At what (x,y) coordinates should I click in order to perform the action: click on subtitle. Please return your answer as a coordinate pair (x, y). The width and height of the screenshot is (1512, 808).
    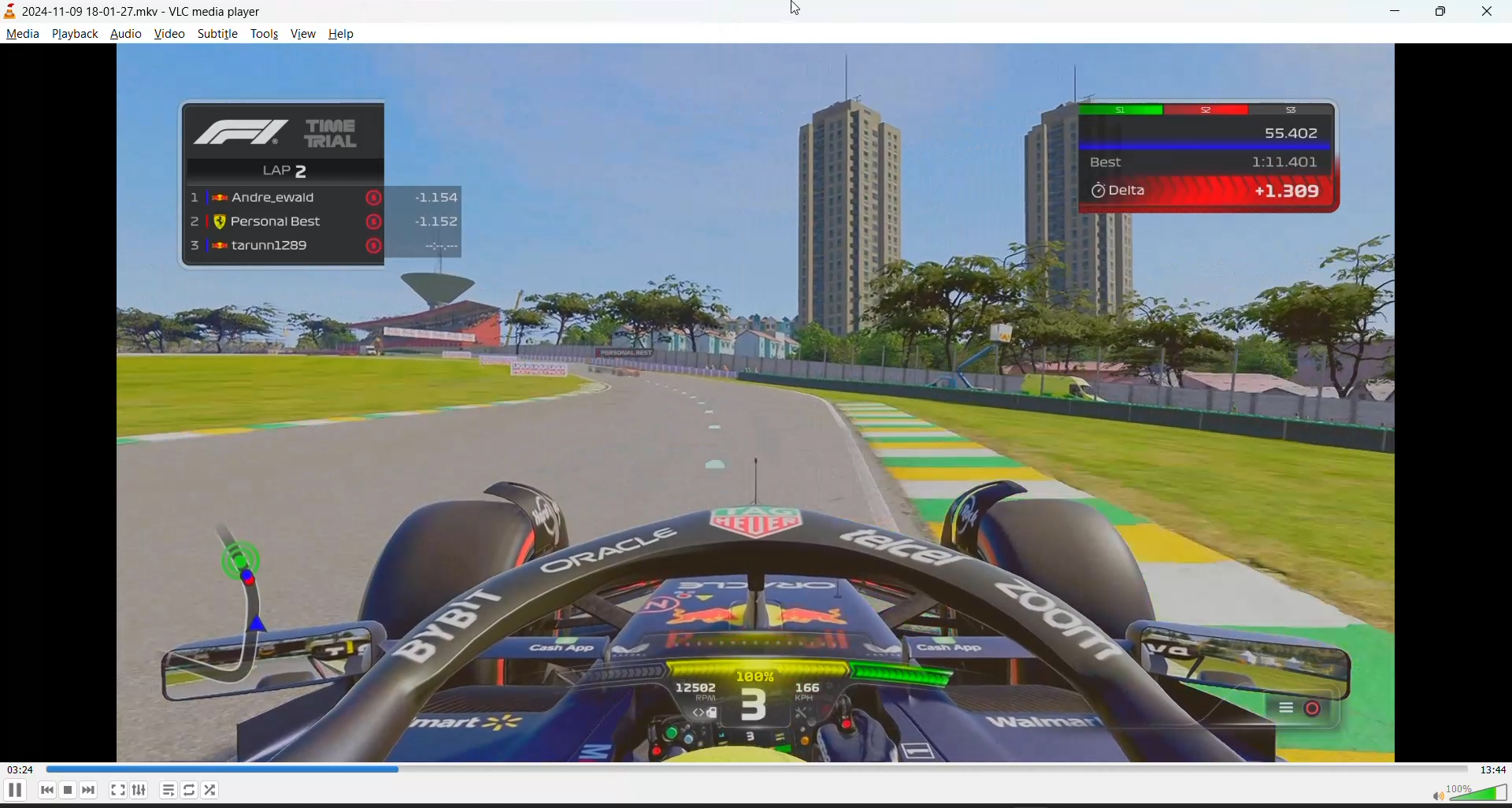
    Looking at the image, I should click on (220, 32).